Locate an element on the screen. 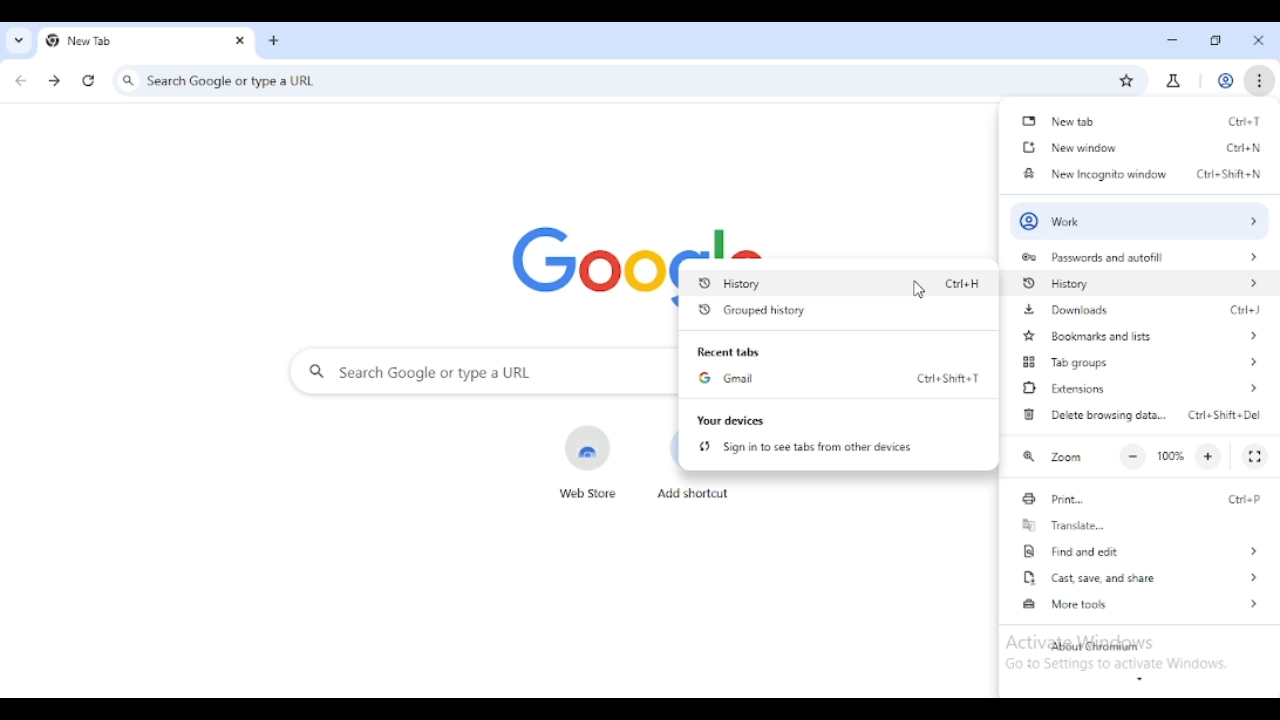 The height and width of the screenshot is (720, 1280). History is located at coordinates (812, 284).